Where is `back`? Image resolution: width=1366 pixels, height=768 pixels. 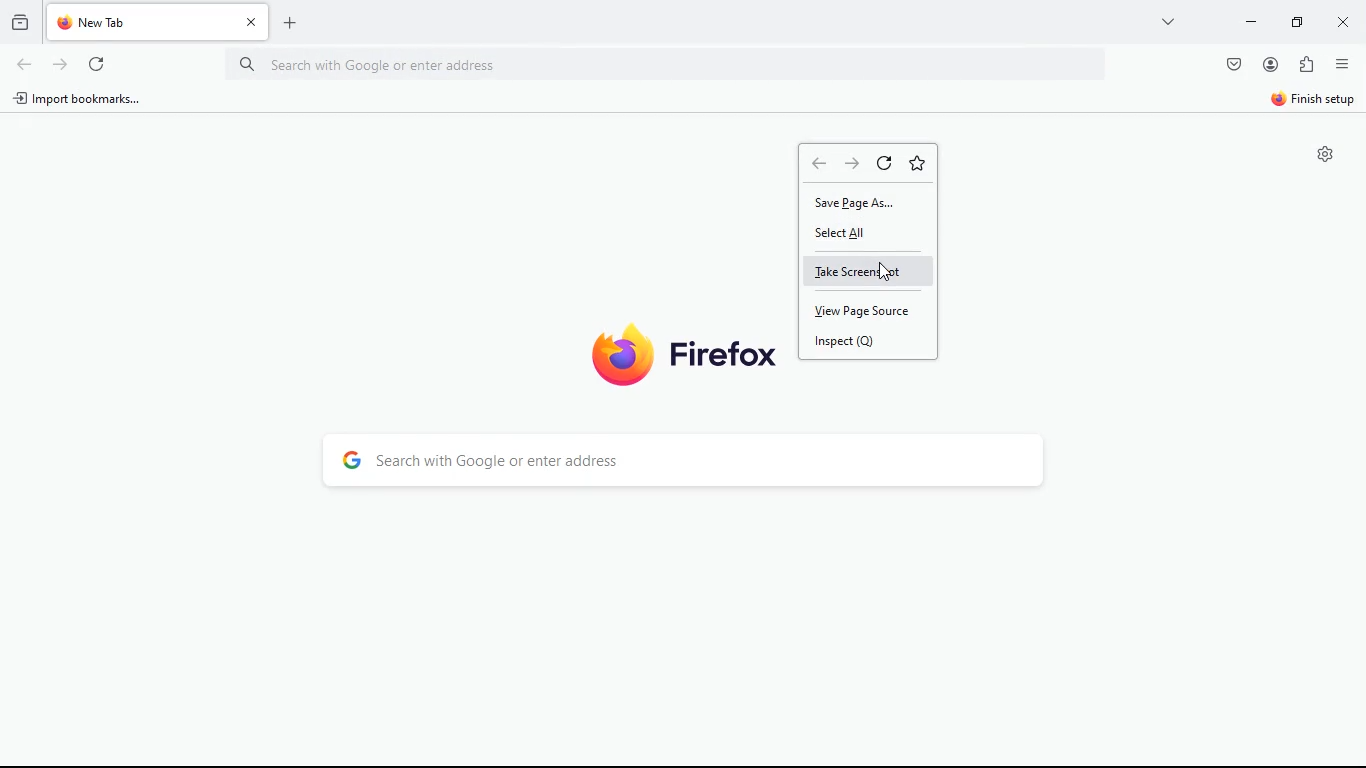 back is located at coordinates (855, 165).